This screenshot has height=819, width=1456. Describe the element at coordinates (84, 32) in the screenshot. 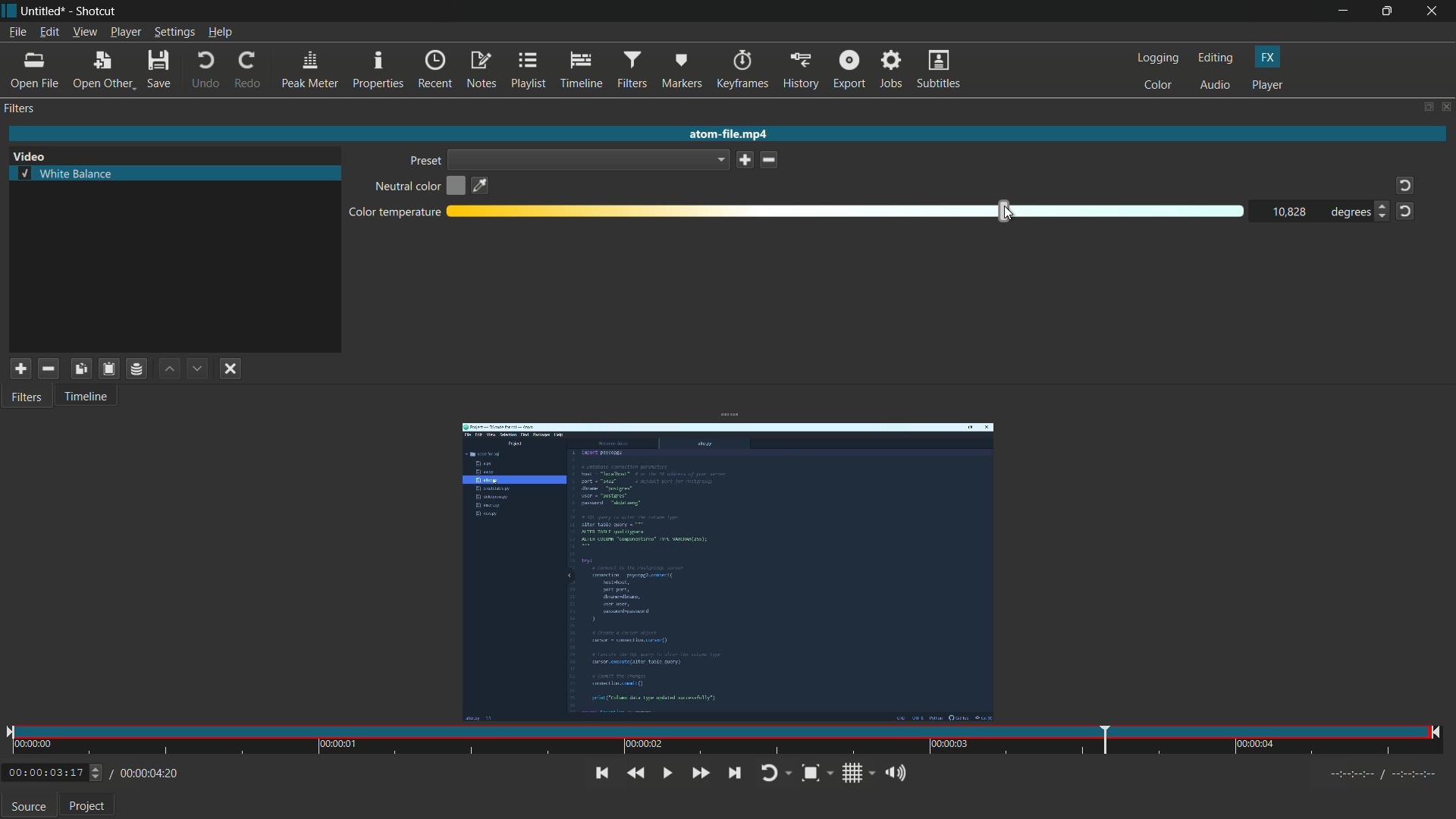

I see `view menu` at that location.